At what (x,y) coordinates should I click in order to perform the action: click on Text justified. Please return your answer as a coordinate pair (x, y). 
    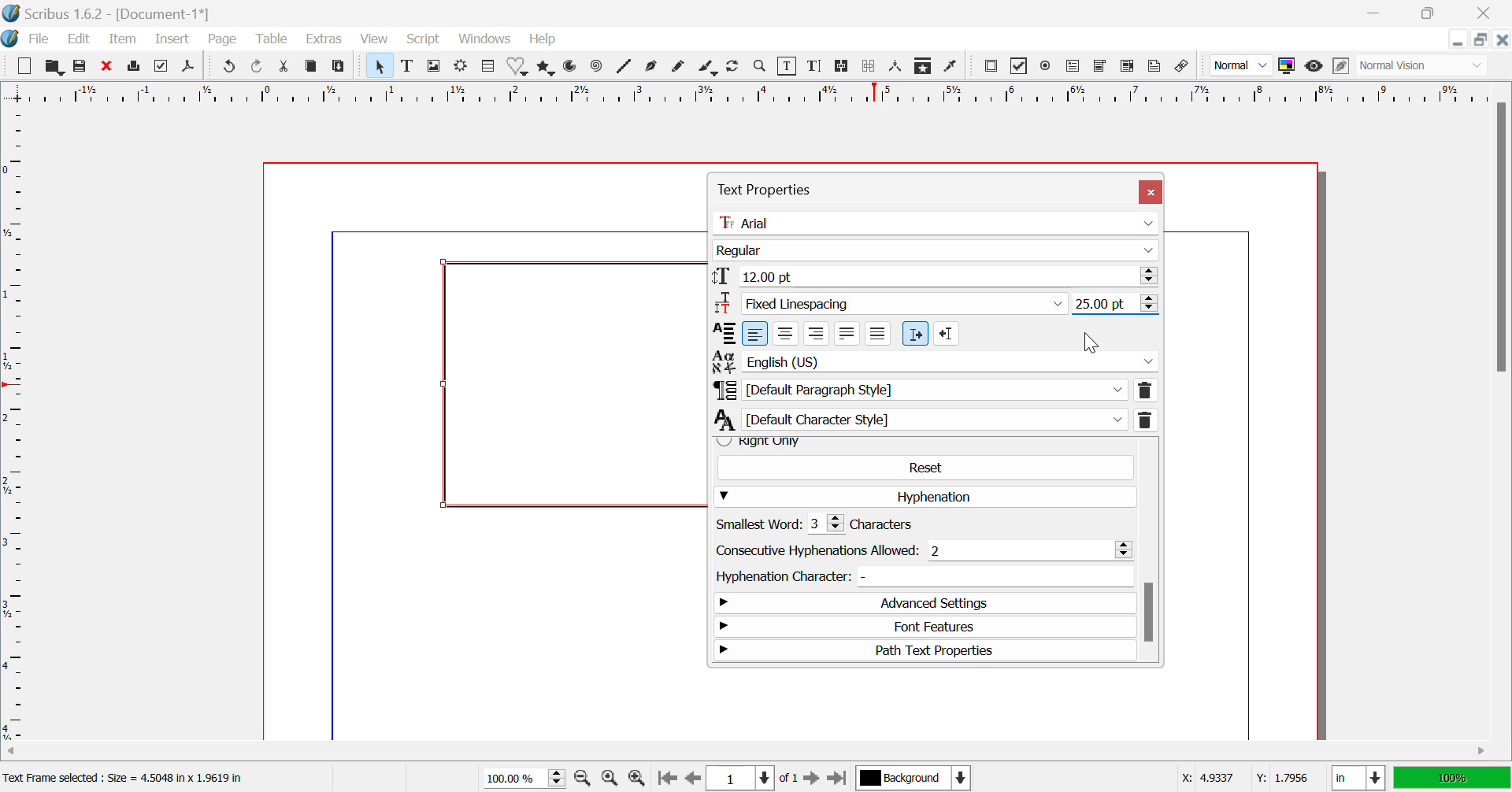
    Looking at the image, I should click on (847, 334).